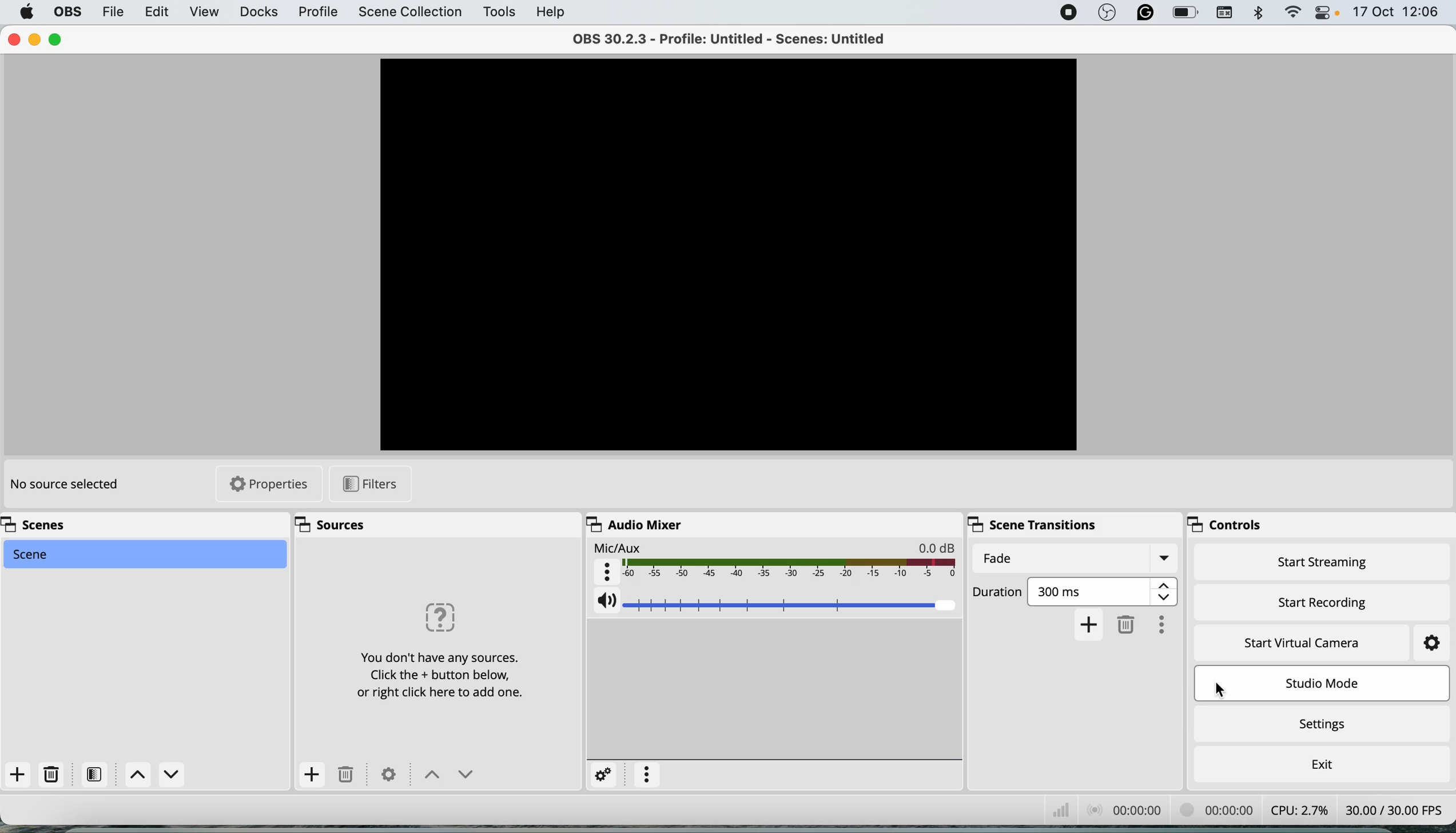 The image size is (1456, 833). What do you see at coordinates (1031, 525) in the screenshot?
I see `scene transitions` at bounding box center [1031, 525].